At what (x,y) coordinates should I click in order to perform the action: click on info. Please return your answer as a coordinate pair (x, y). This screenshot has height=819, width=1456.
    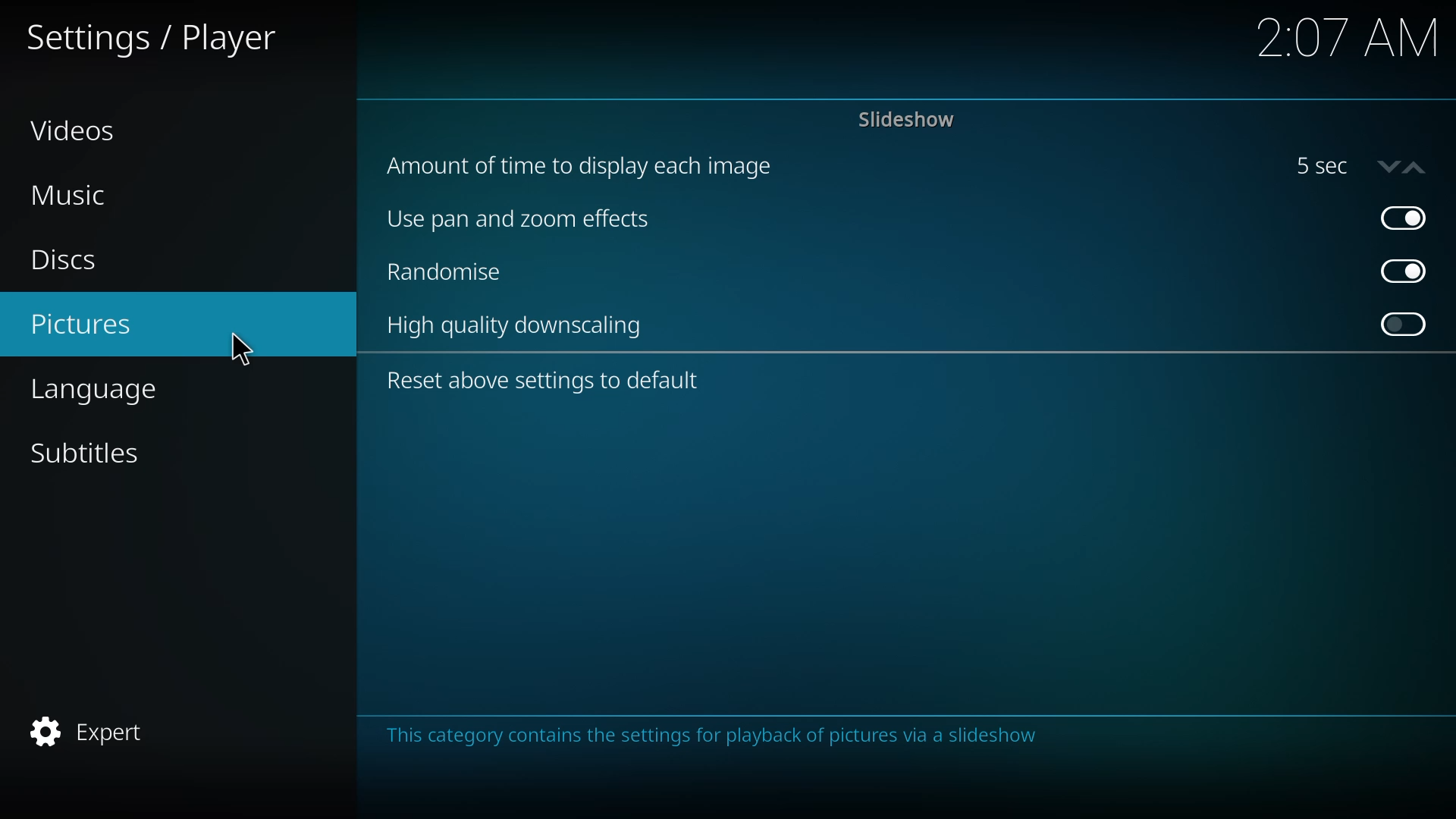
    Looking at the image, I should click on (719, 736).